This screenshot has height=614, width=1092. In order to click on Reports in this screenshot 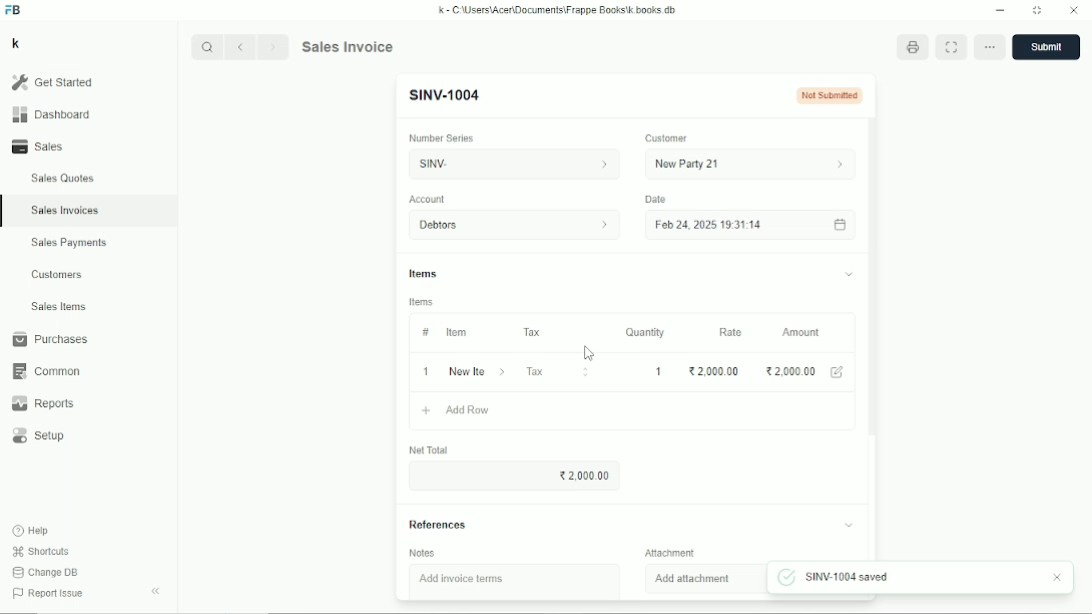, I will do `click(42, 404)`.